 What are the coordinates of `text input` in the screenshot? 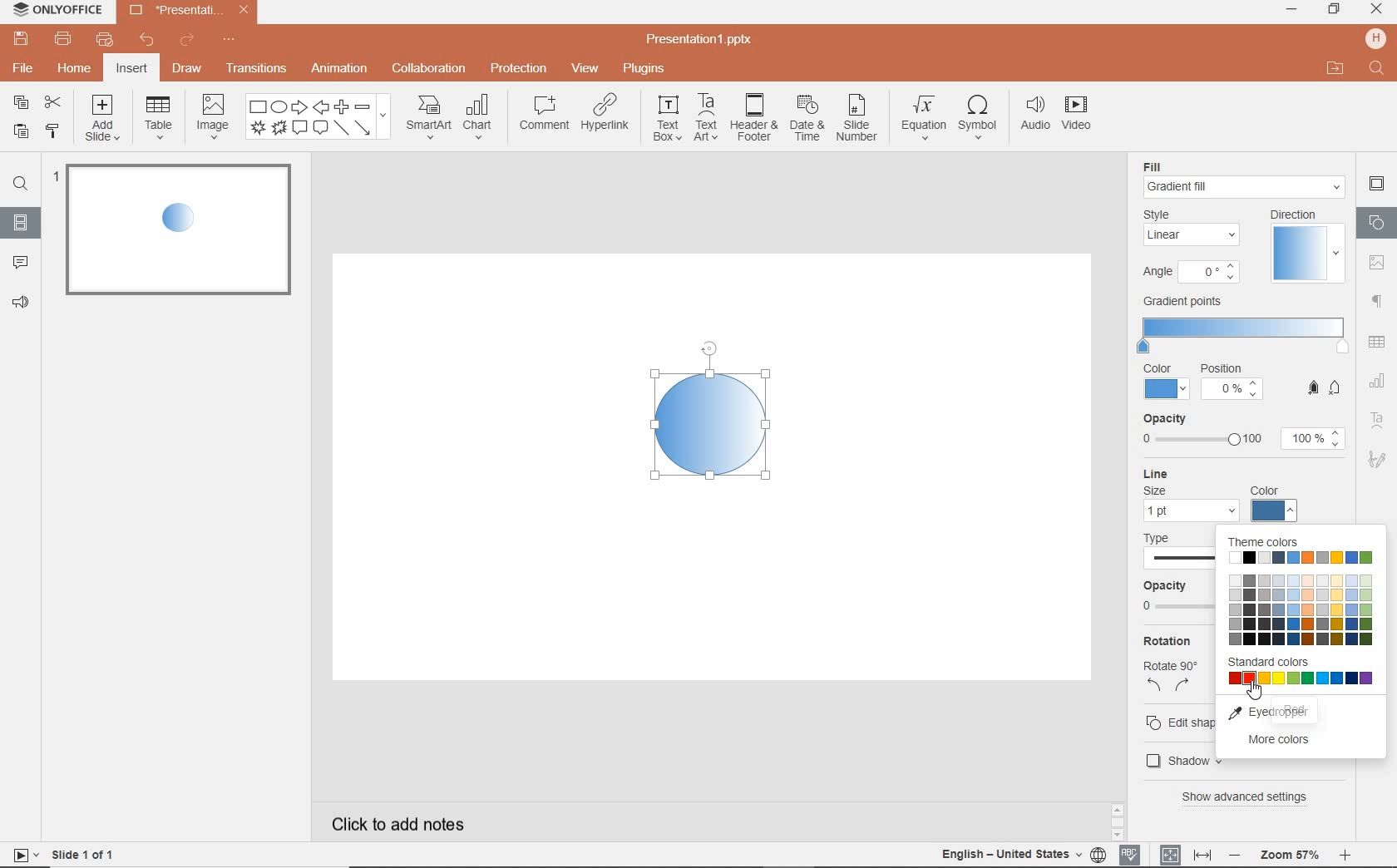 It's located at (1377, 70).